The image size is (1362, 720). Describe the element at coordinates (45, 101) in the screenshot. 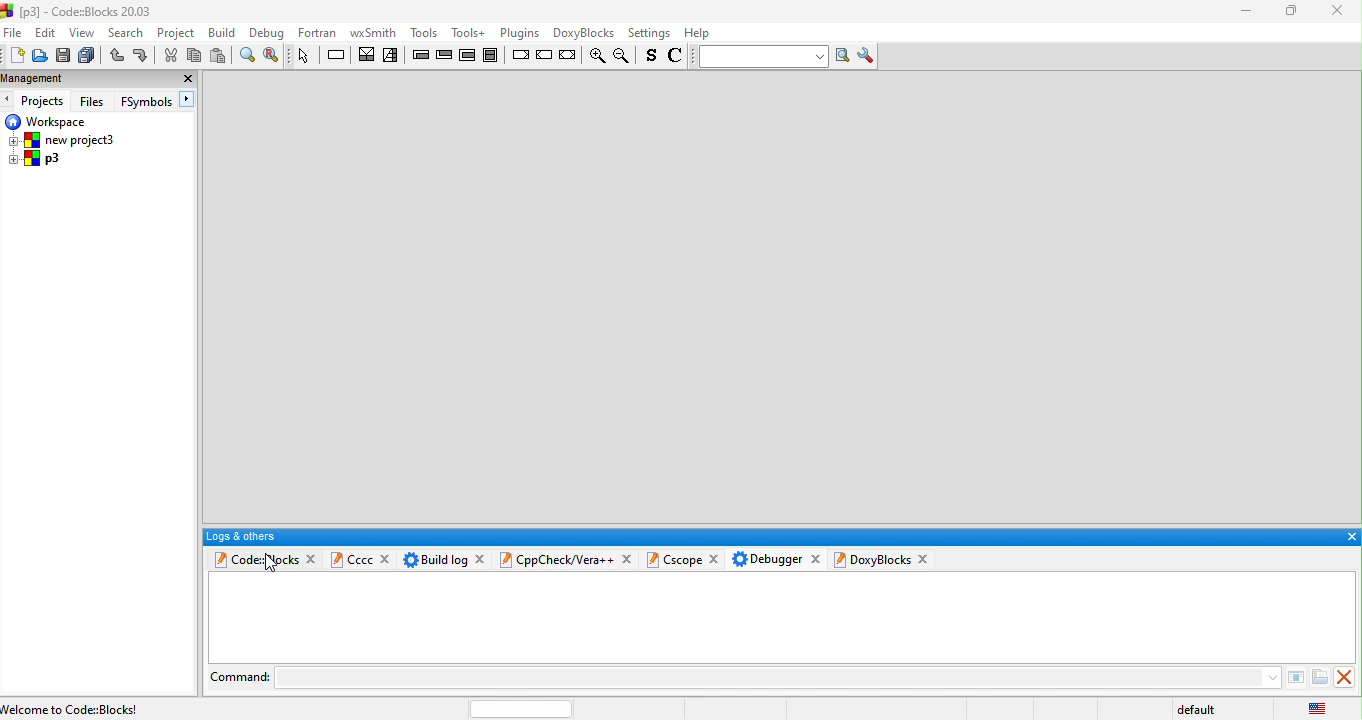

I see `projects` at that location.